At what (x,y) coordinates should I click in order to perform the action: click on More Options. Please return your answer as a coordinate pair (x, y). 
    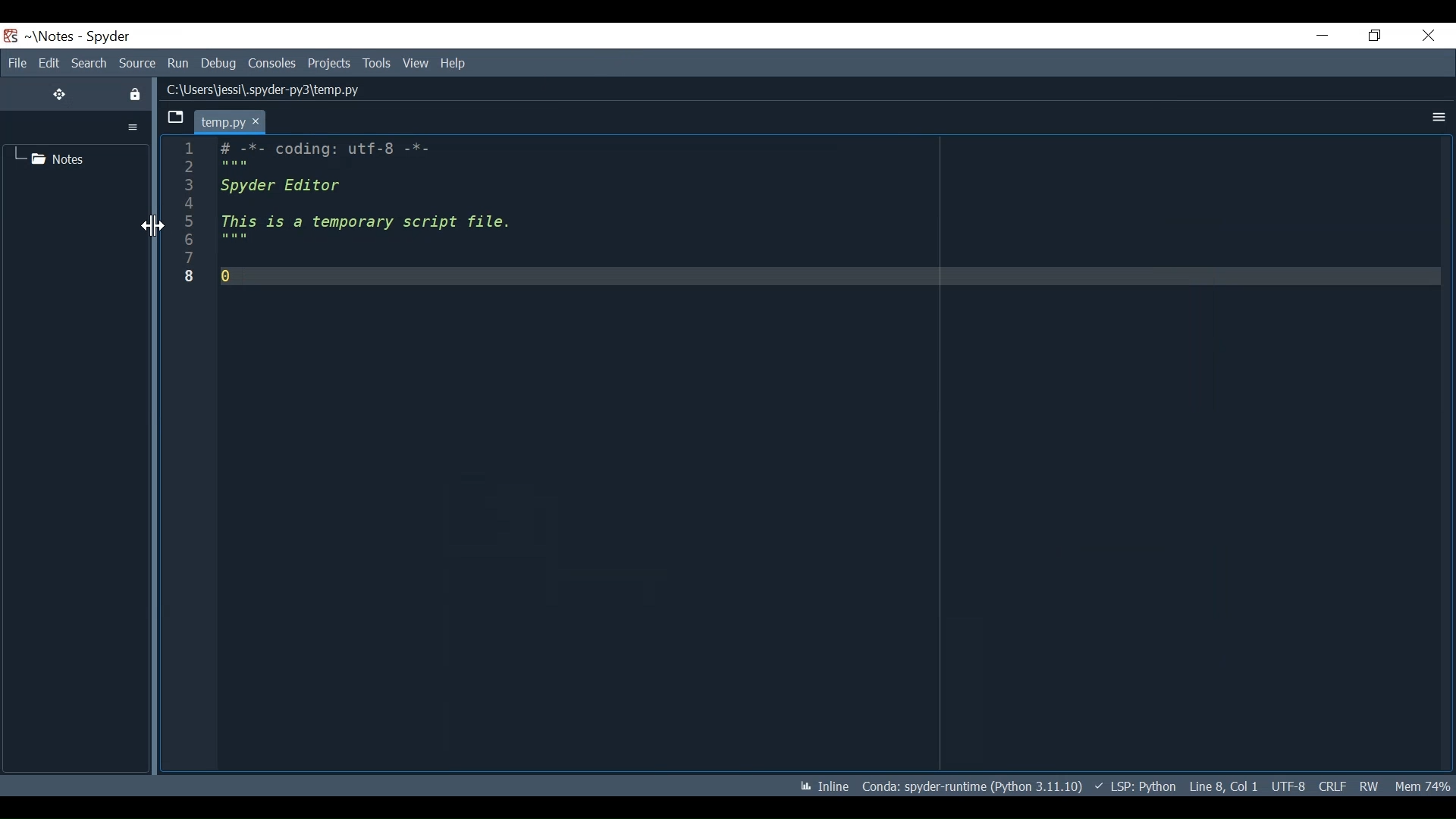
    Looking at the image, I should click on (1437, 112).